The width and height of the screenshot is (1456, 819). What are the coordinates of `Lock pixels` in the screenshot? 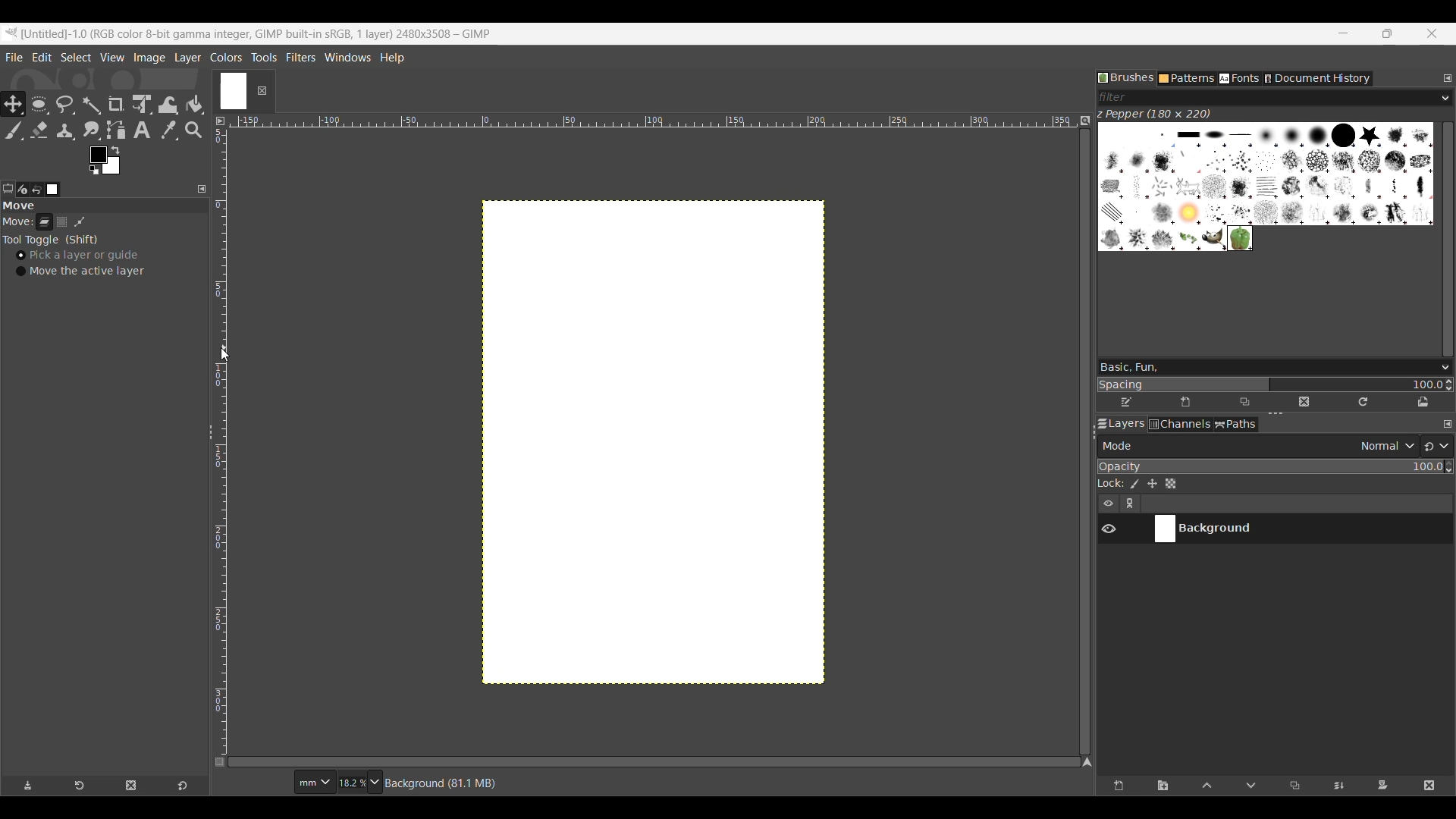 It's located at (1134, 484).